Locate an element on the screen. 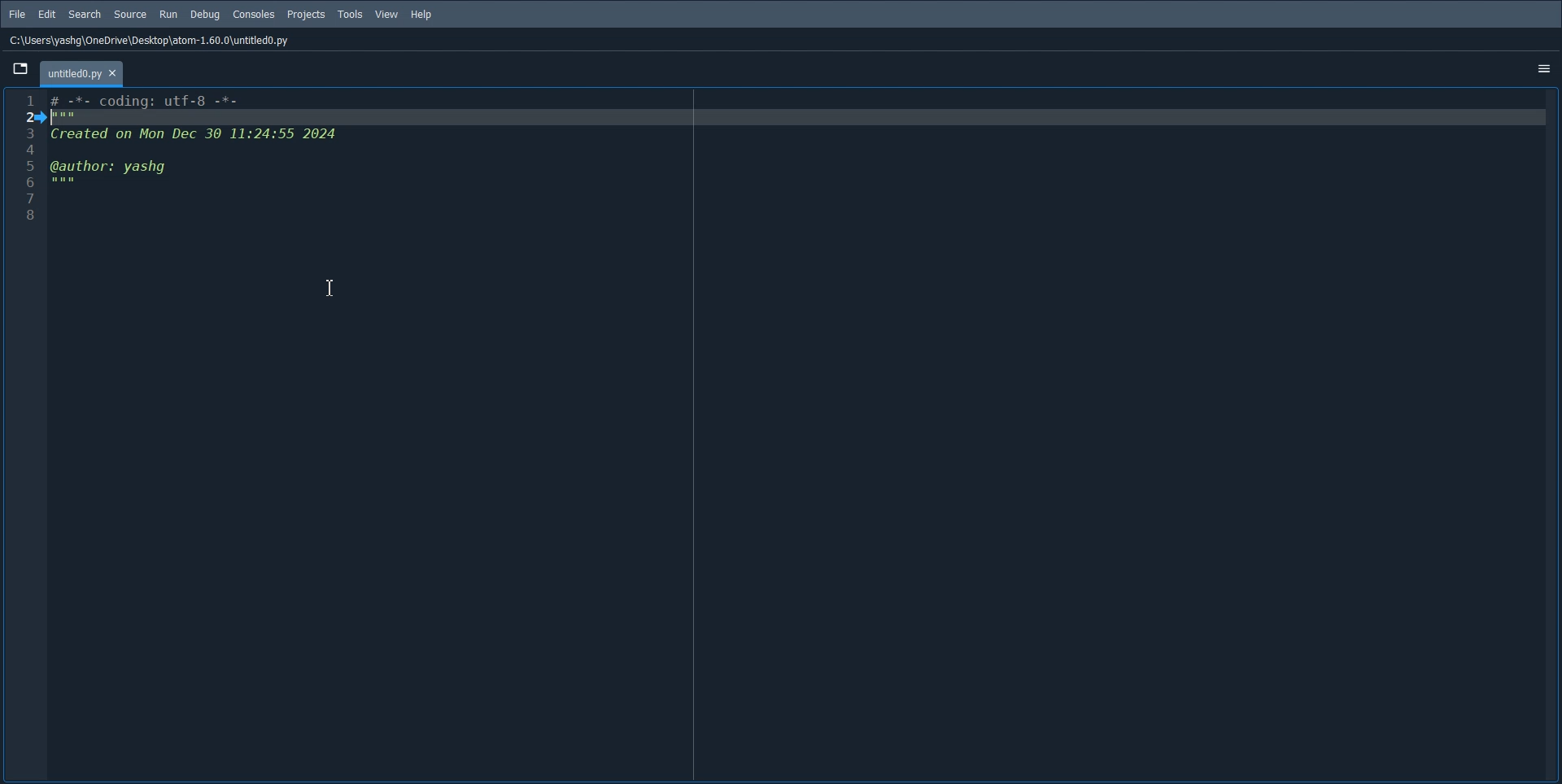  View is located at coordinates (386, 14).